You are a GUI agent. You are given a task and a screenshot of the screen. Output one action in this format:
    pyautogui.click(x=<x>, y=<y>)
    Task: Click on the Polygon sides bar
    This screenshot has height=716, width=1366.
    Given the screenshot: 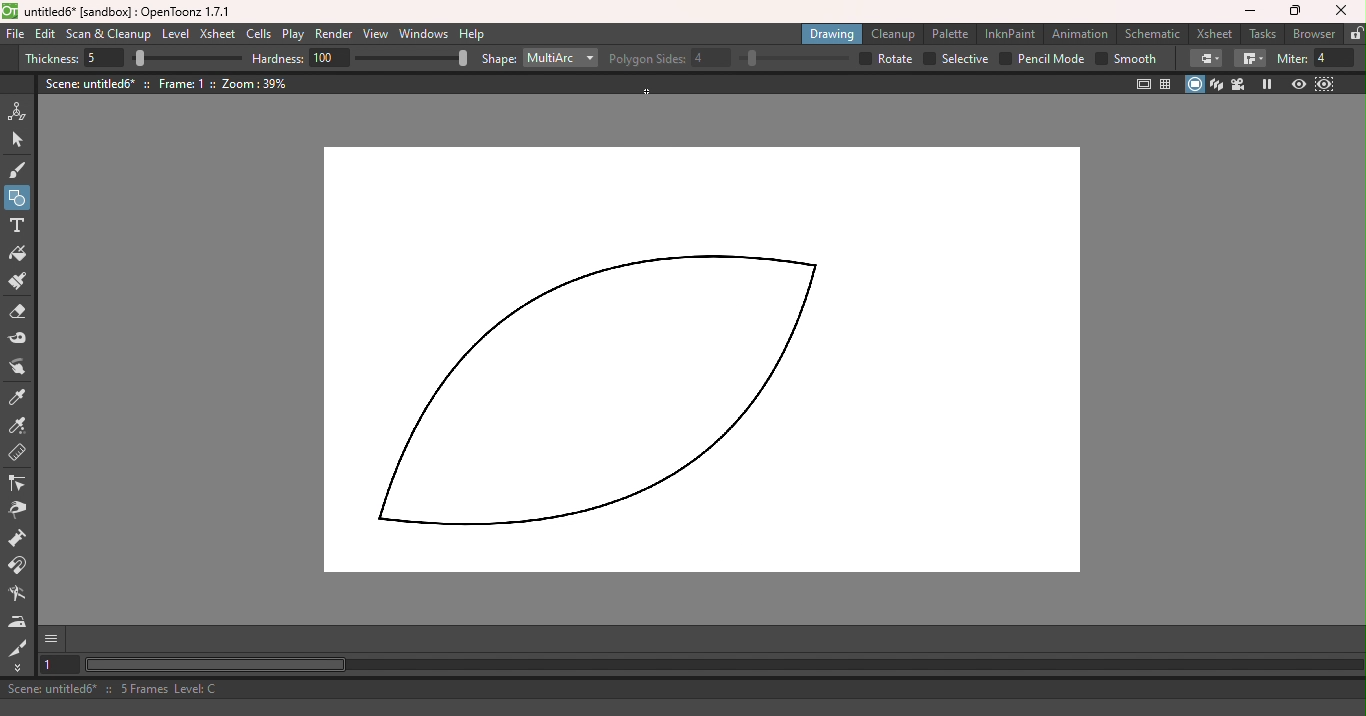 What is the action you would take?
    pyautogui.click(x=792, y=59)
    